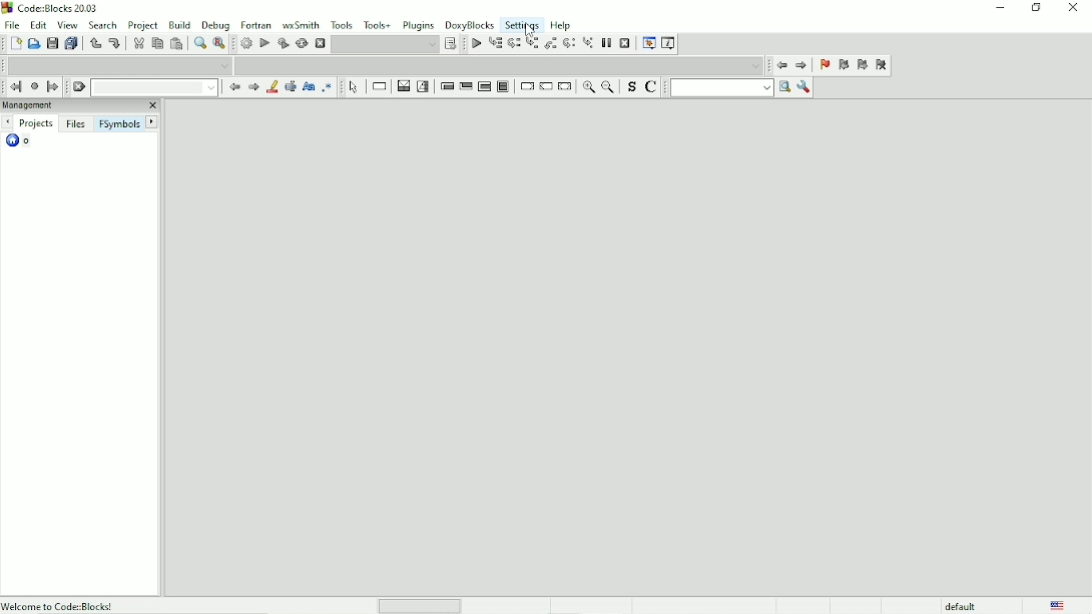  Describe the element at coordinates (71, 8) in the screenshot. I see `Title` at that location.